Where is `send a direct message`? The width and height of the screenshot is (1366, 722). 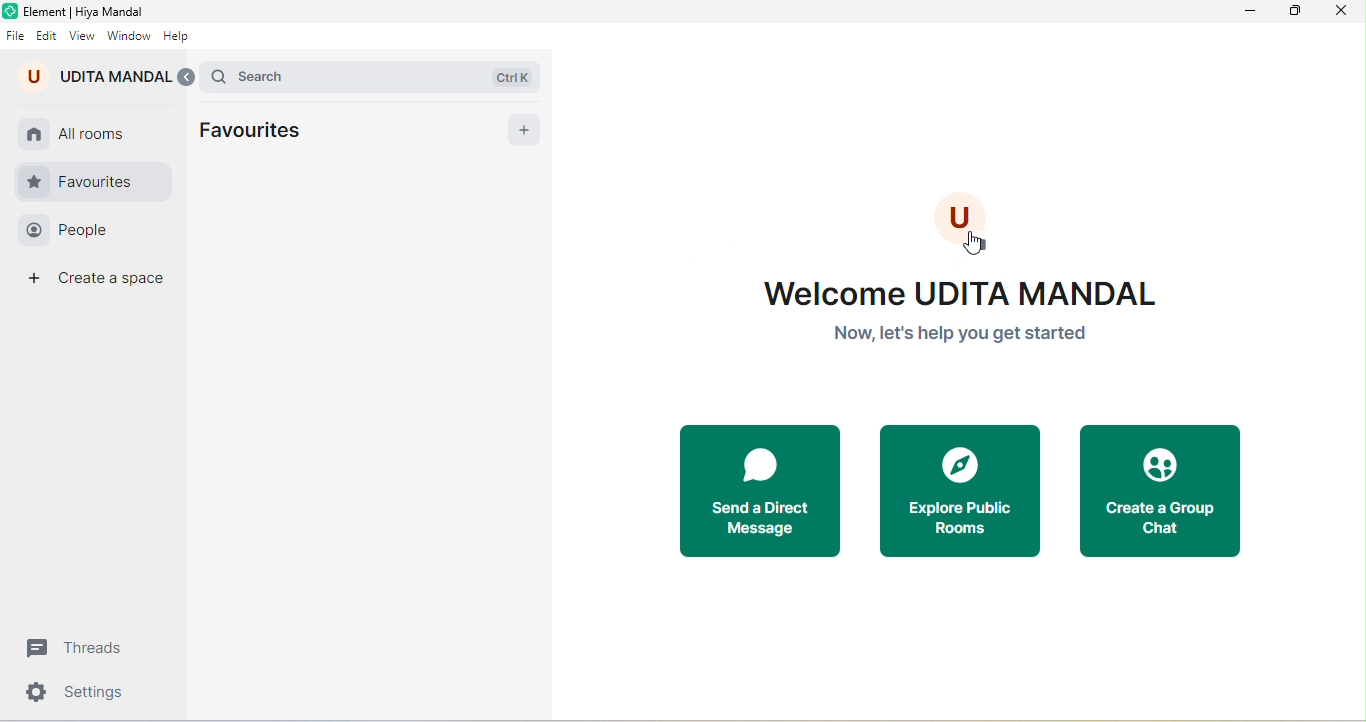 send a direct message is located at coordinates (760, 491).